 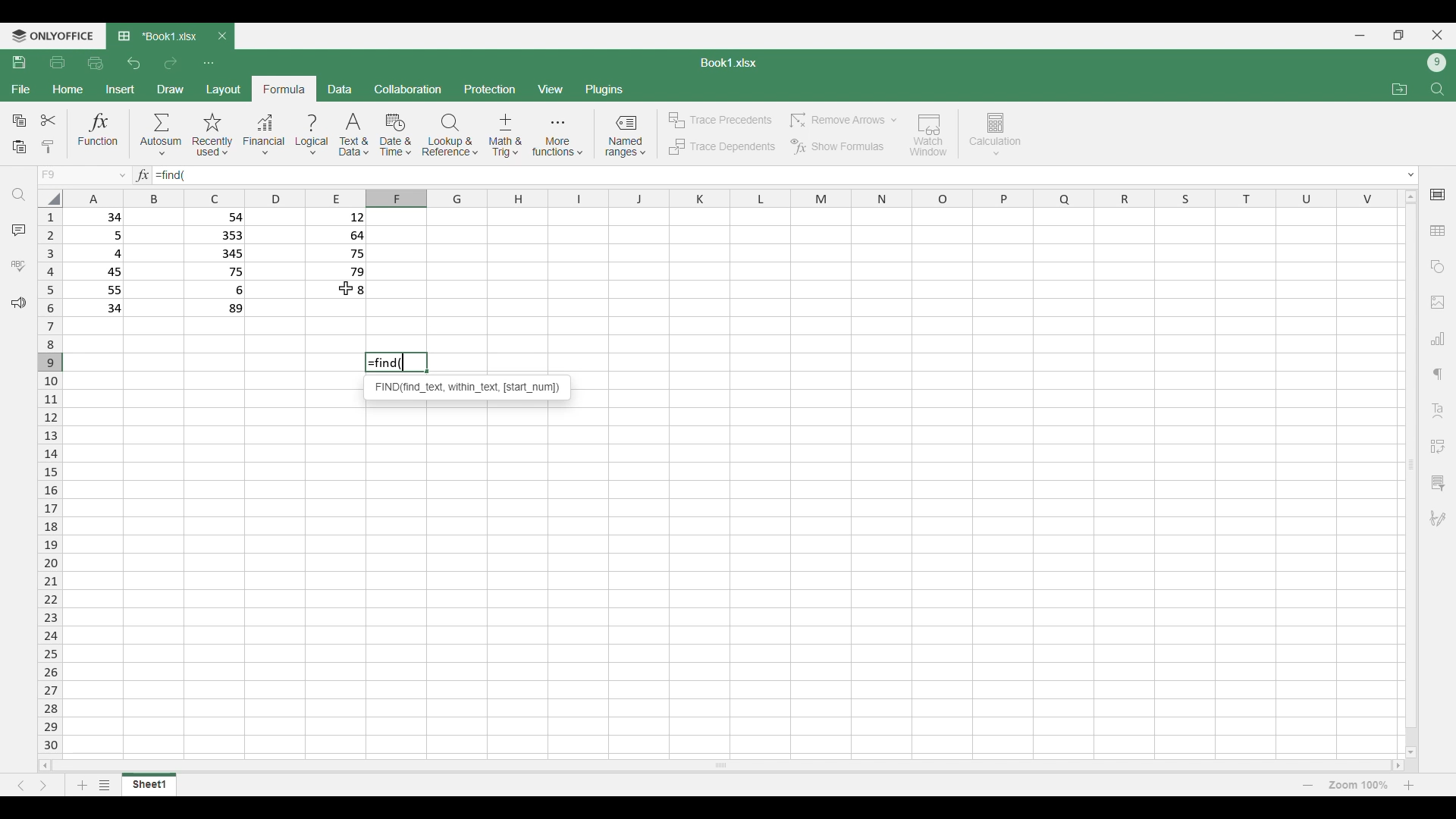 What do you see at coordinates (340, 89) in the screenshot?
I see `Data menu` at bounding box center [340, 89].